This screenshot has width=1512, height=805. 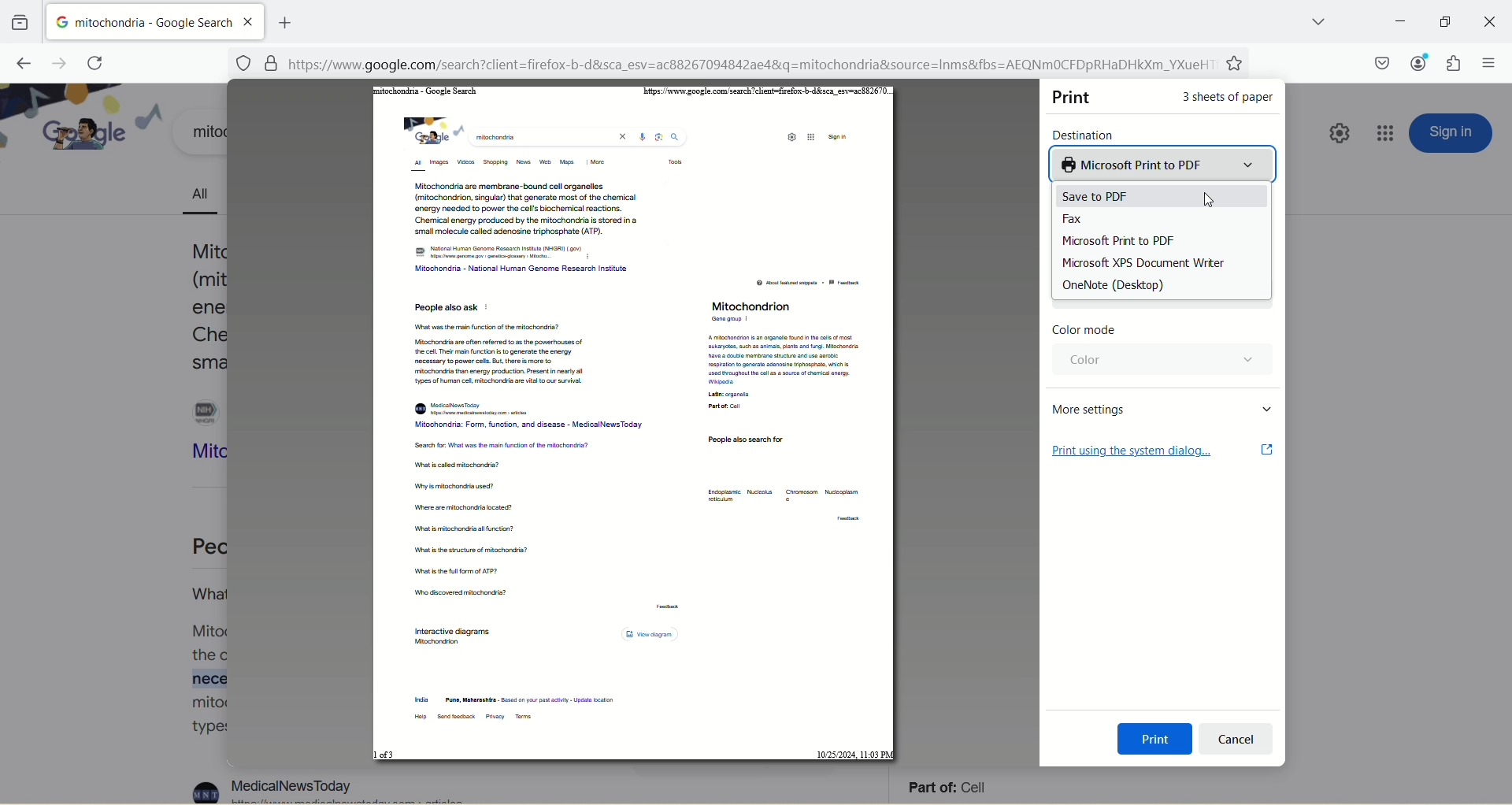 I want to click on view recent browsing across windows and devices, so click(x=20, y=22).